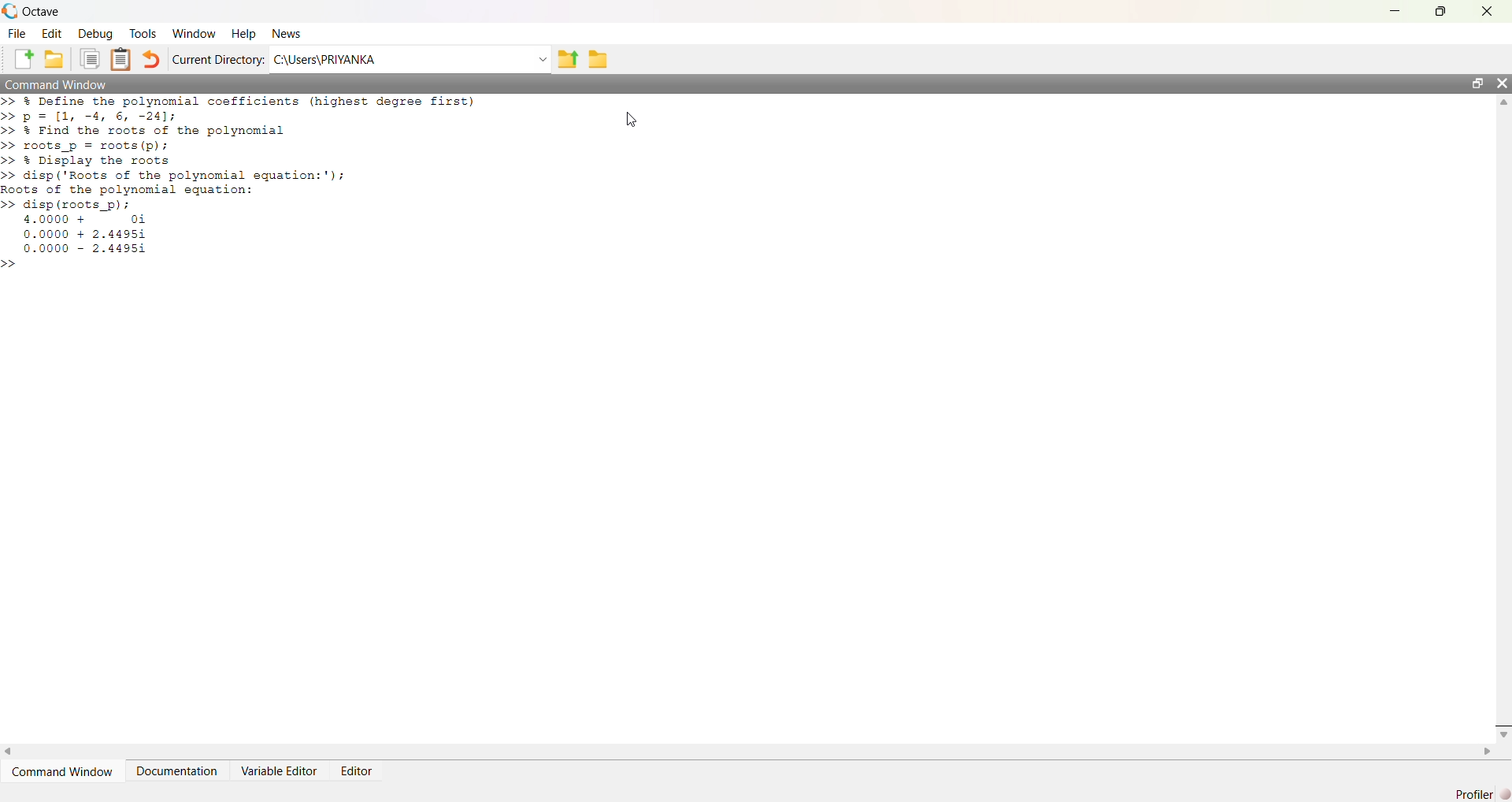  Describe the element at coordinates (219, 61) in the screenshot. I see `Current Directory:` at that location.